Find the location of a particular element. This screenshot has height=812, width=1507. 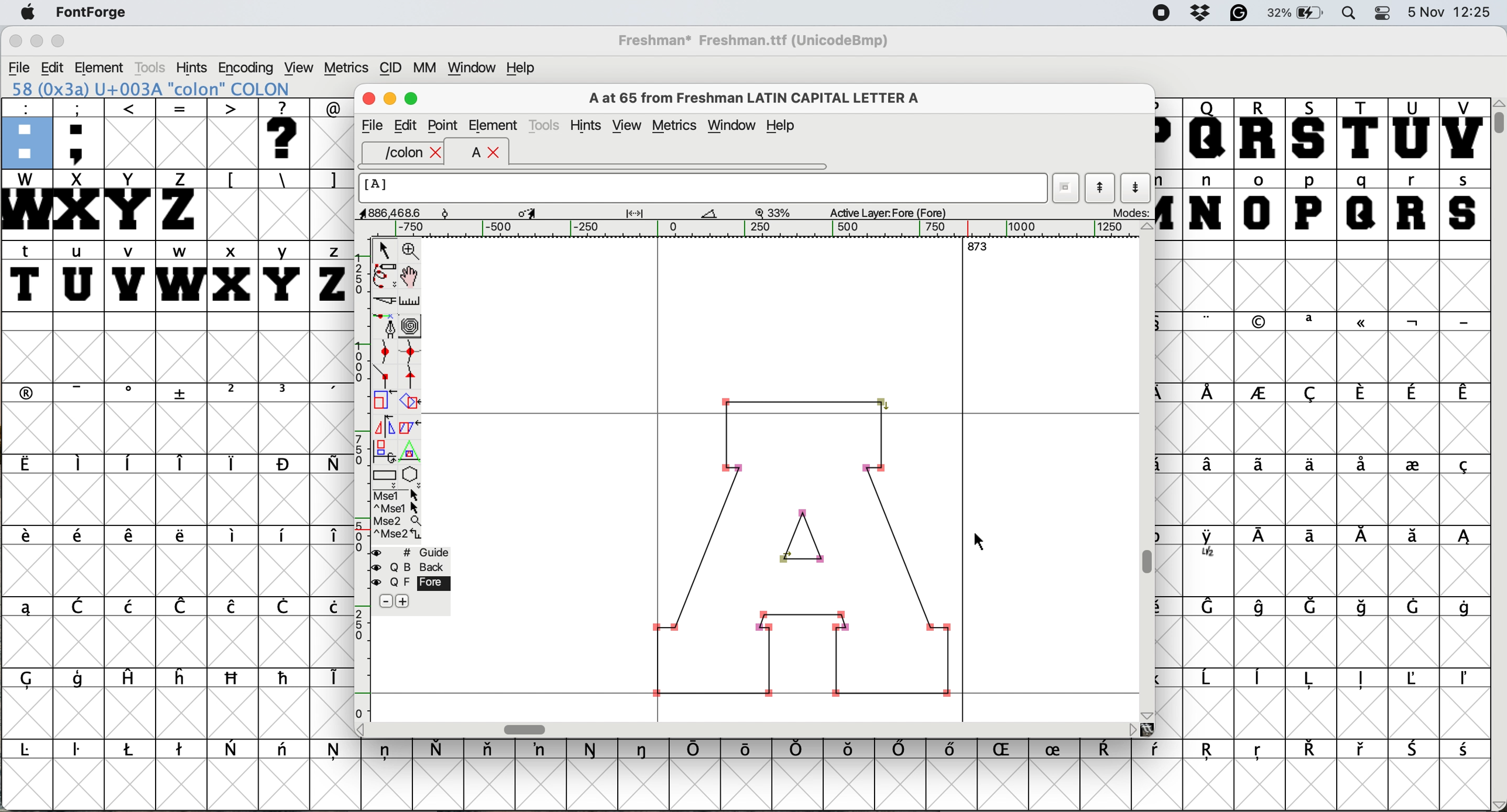

edit is located at coordinates (52, 67).